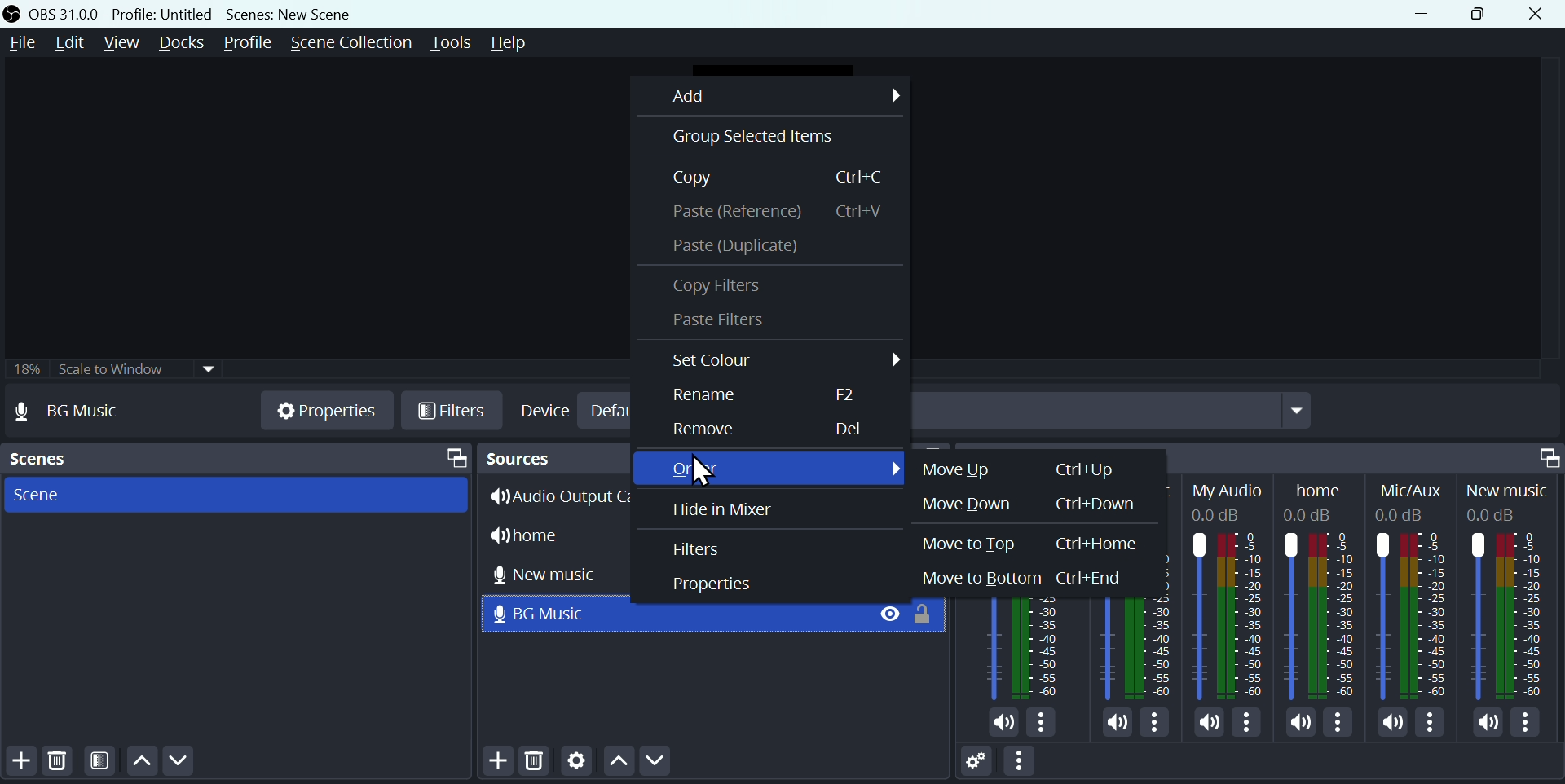  What do you see at coordinates (1134, 647) in the screenshot?
I see `BG Music` at bounding box center [1134, 647].